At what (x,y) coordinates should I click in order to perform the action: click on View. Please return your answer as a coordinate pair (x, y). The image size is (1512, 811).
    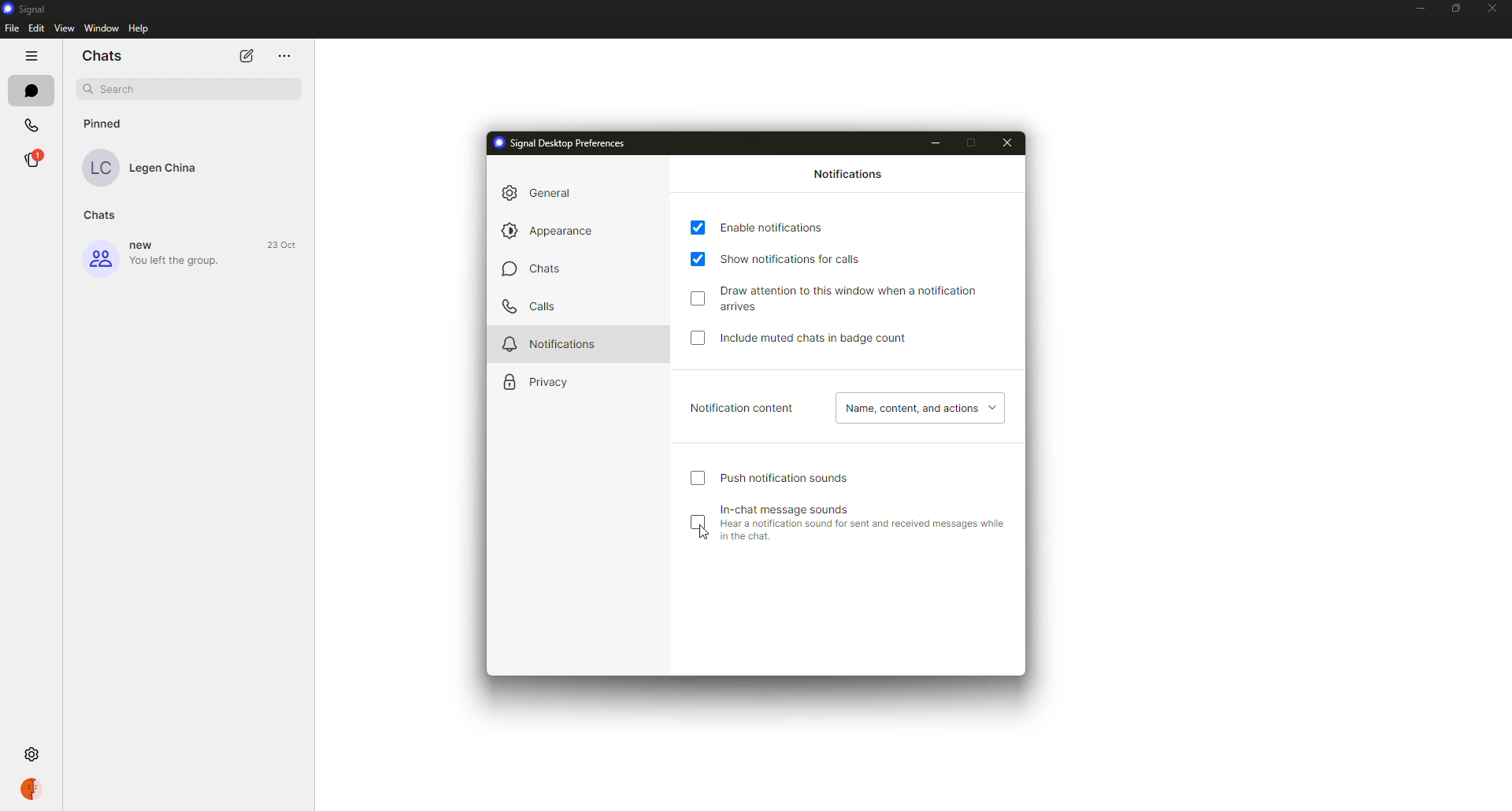
    Looking at the image, I should click on (64, 27).